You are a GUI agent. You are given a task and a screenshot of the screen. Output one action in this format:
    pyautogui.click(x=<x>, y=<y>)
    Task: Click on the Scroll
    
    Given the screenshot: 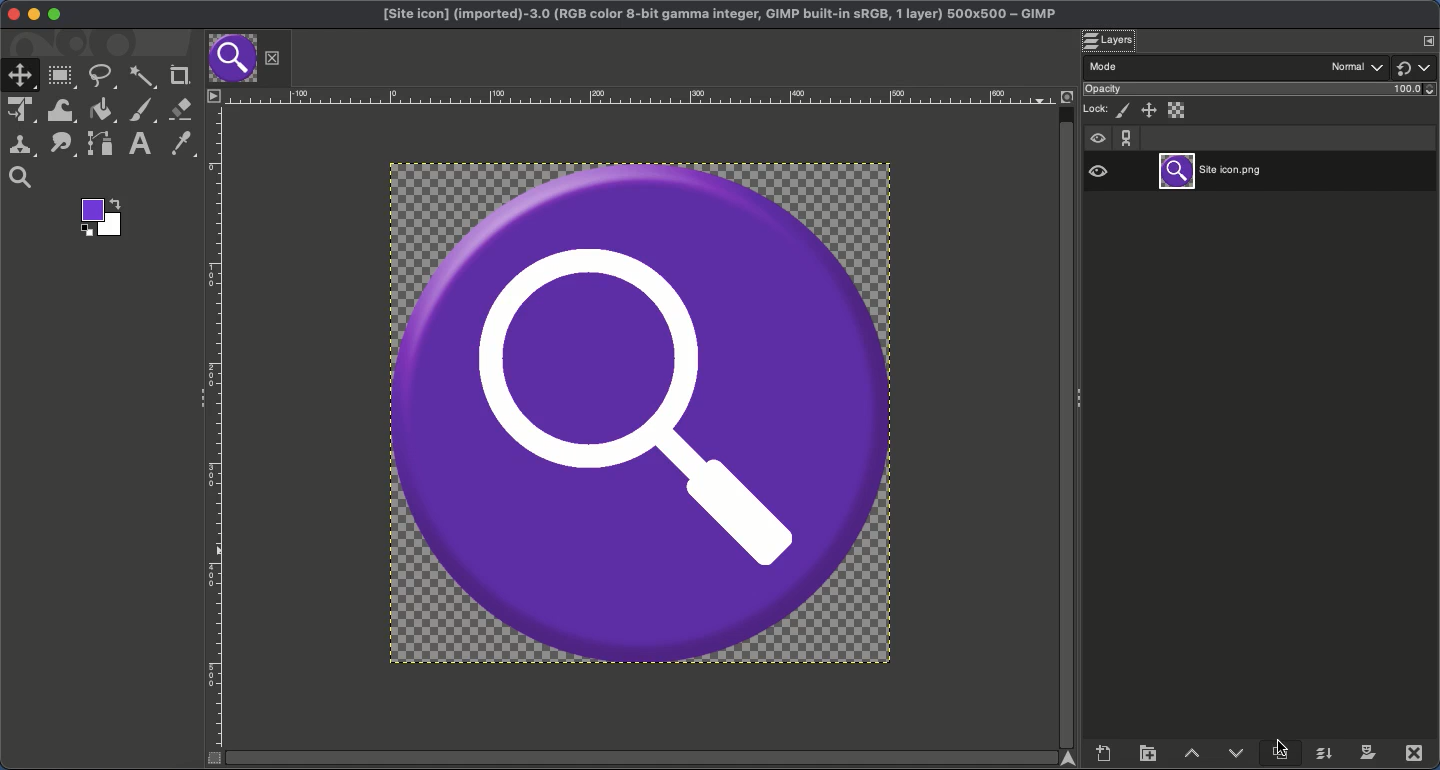 What is the action you would take?
    pyautogui.click(x=644, y=758)
    